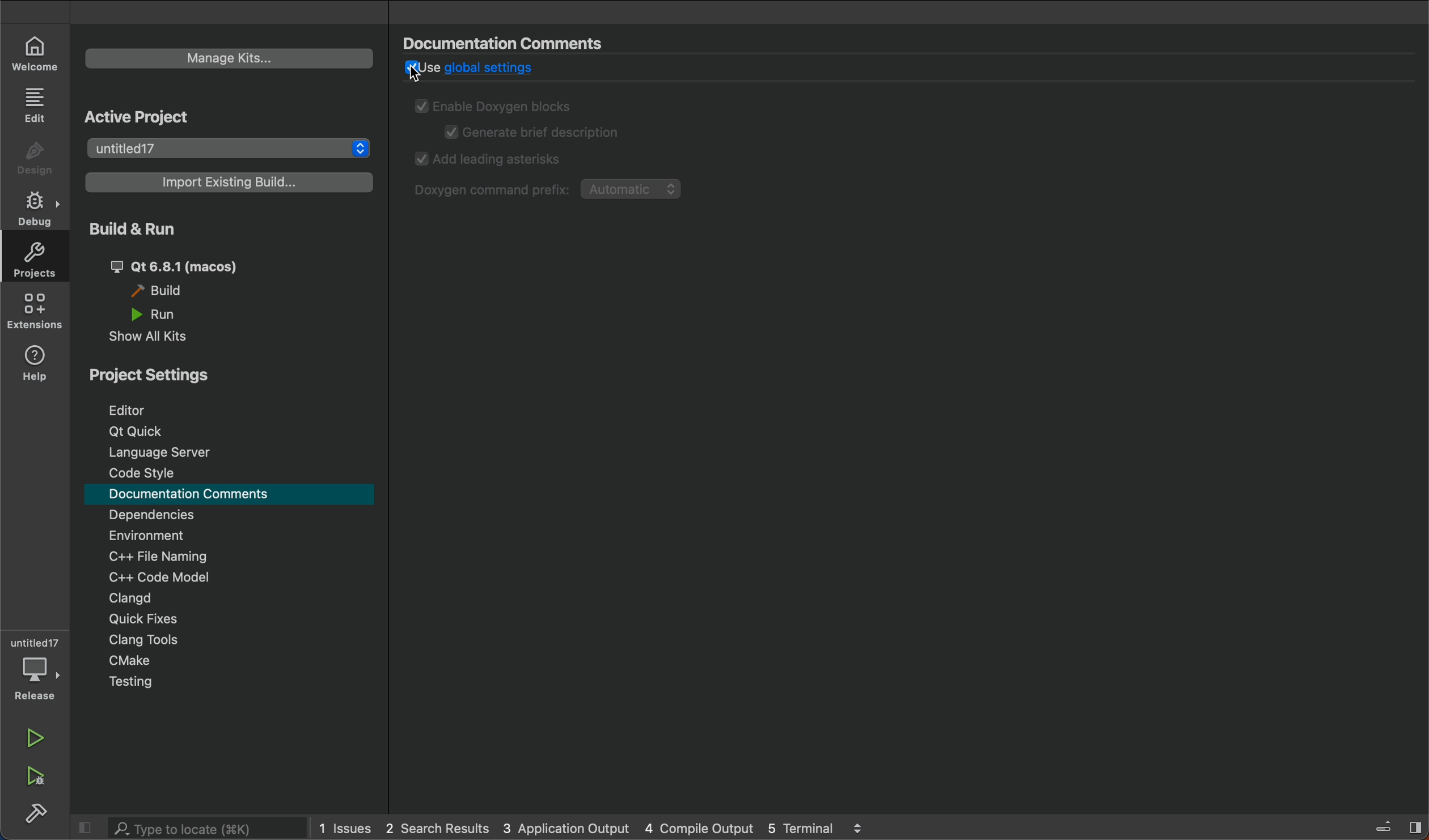 Image resolution: width=1429 pixels, height=840 pixels. I want to click on extensions, so click(37, 313).